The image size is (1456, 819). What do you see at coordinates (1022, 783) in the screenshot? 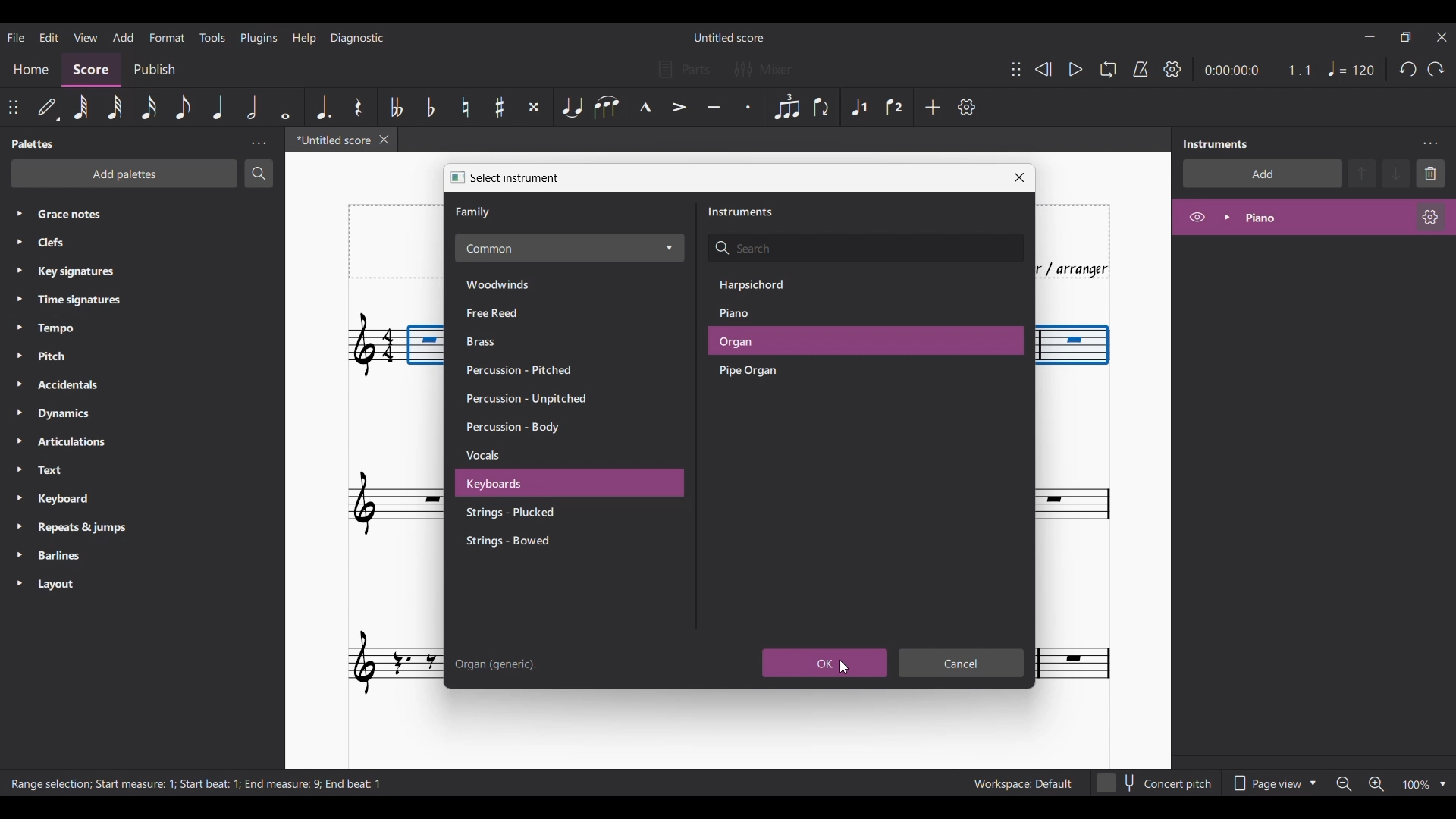
I see `Current workspace settings` at bounding box center [1022, 783].